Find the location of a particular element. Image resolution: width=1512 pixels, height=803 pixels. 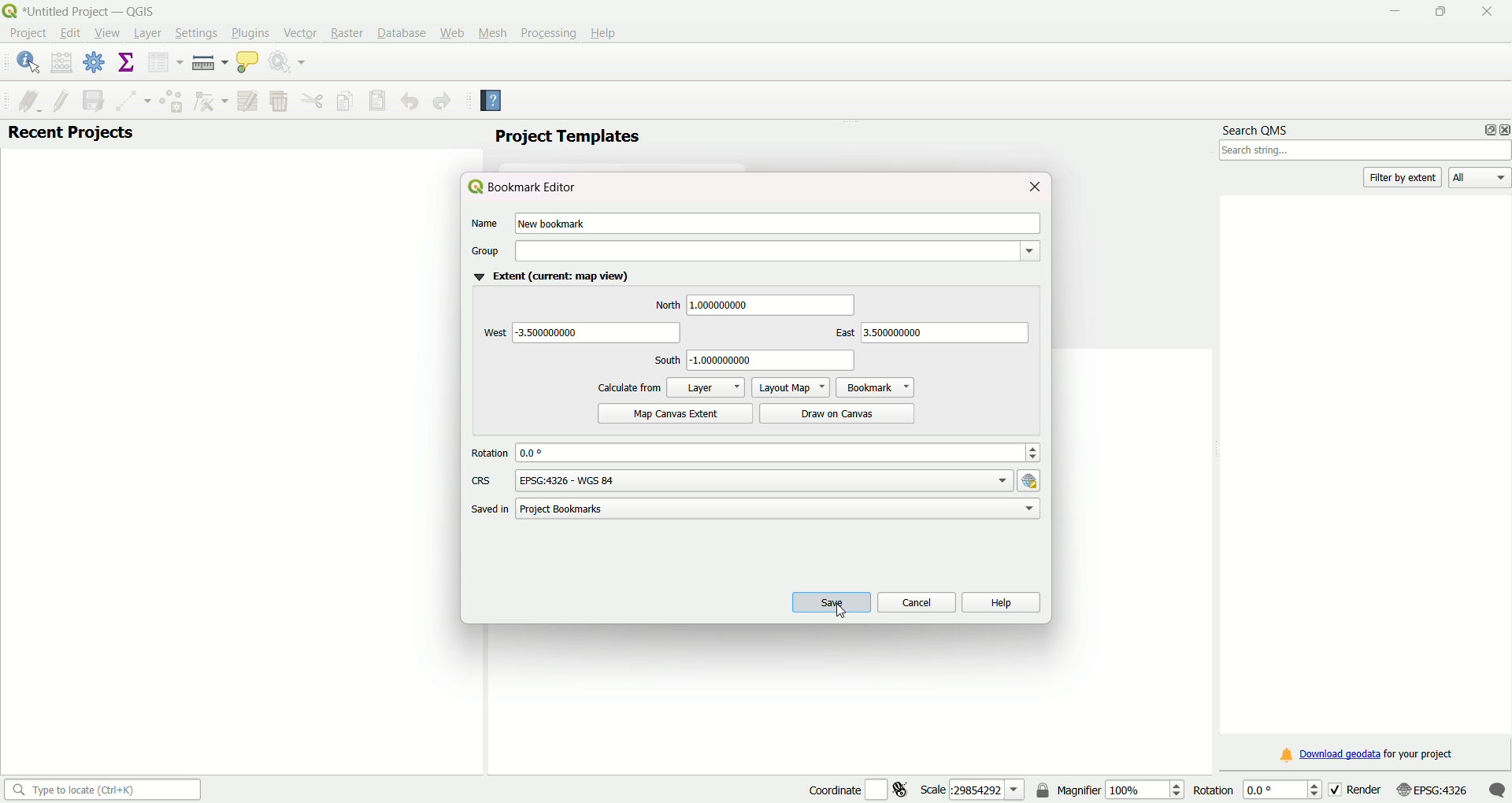

digitized with segment is located at coordinates (129, 100).